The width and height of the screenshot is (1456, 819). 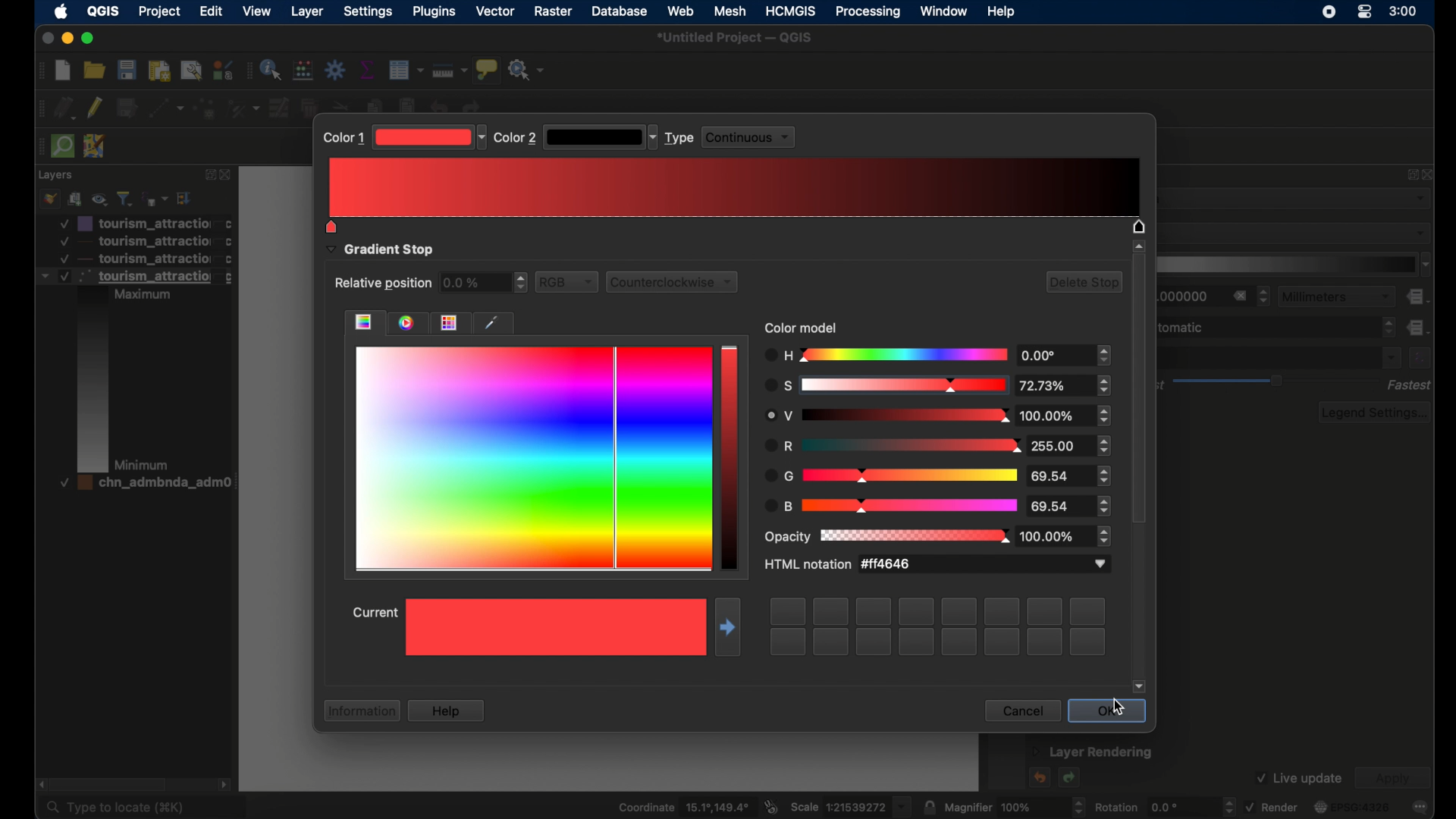 I want to click on vertex tool, so click(x=243, y=108).